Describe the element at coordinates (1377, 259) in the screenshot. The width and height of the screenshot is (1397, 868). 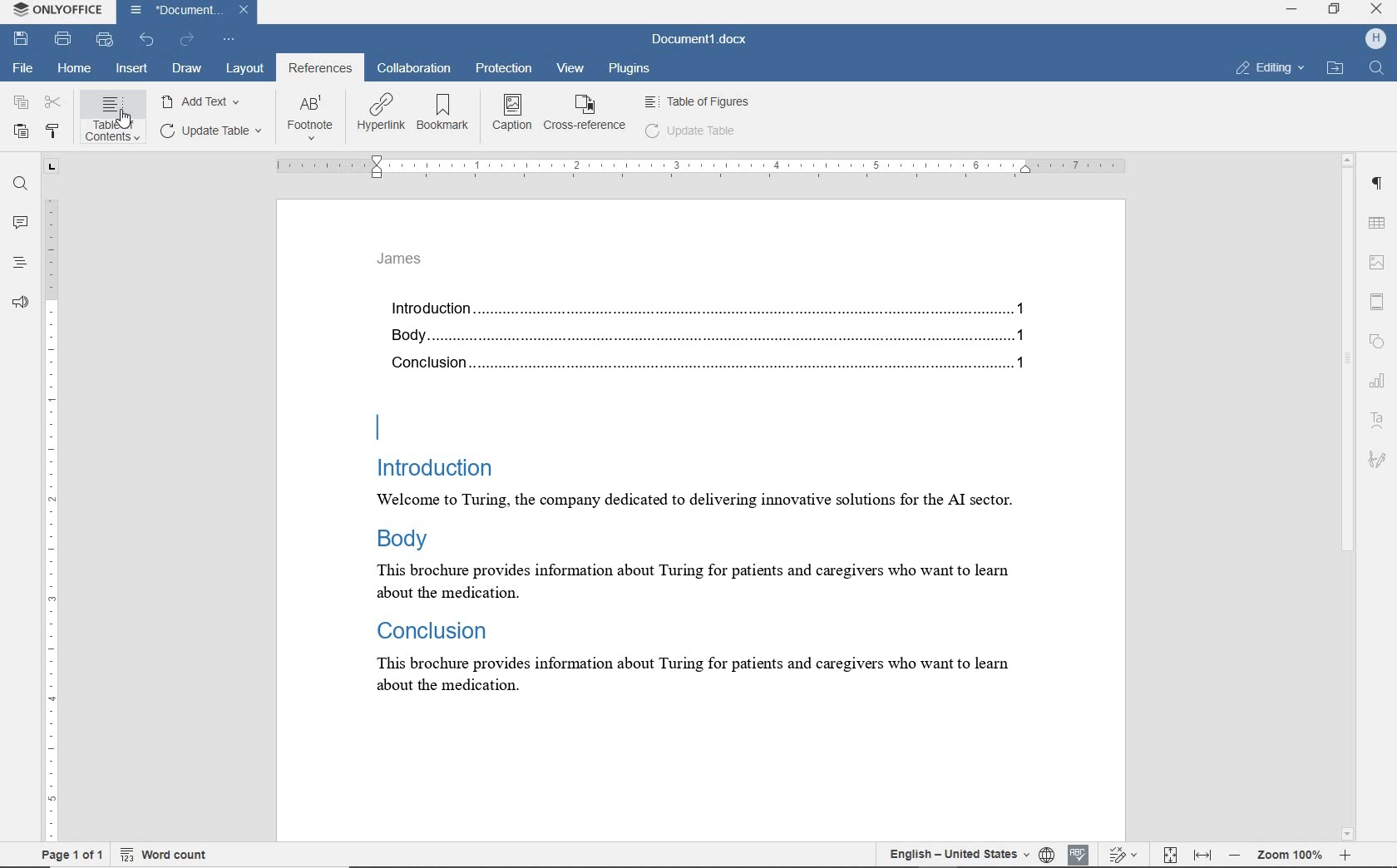
I see `image` at that location.